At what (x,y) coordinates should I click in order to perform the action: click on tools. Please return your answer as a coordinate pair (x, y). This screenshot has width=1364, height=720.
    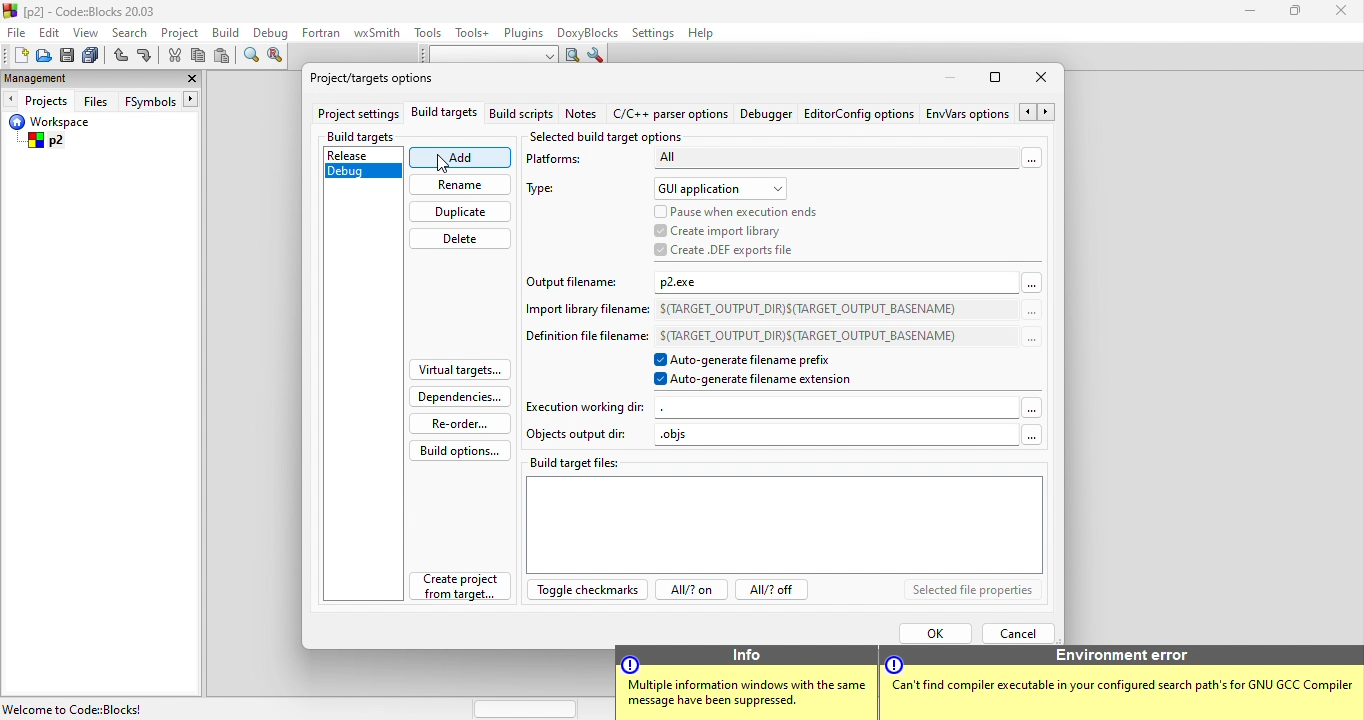
    Looking at the image, I should click on (428, 33).